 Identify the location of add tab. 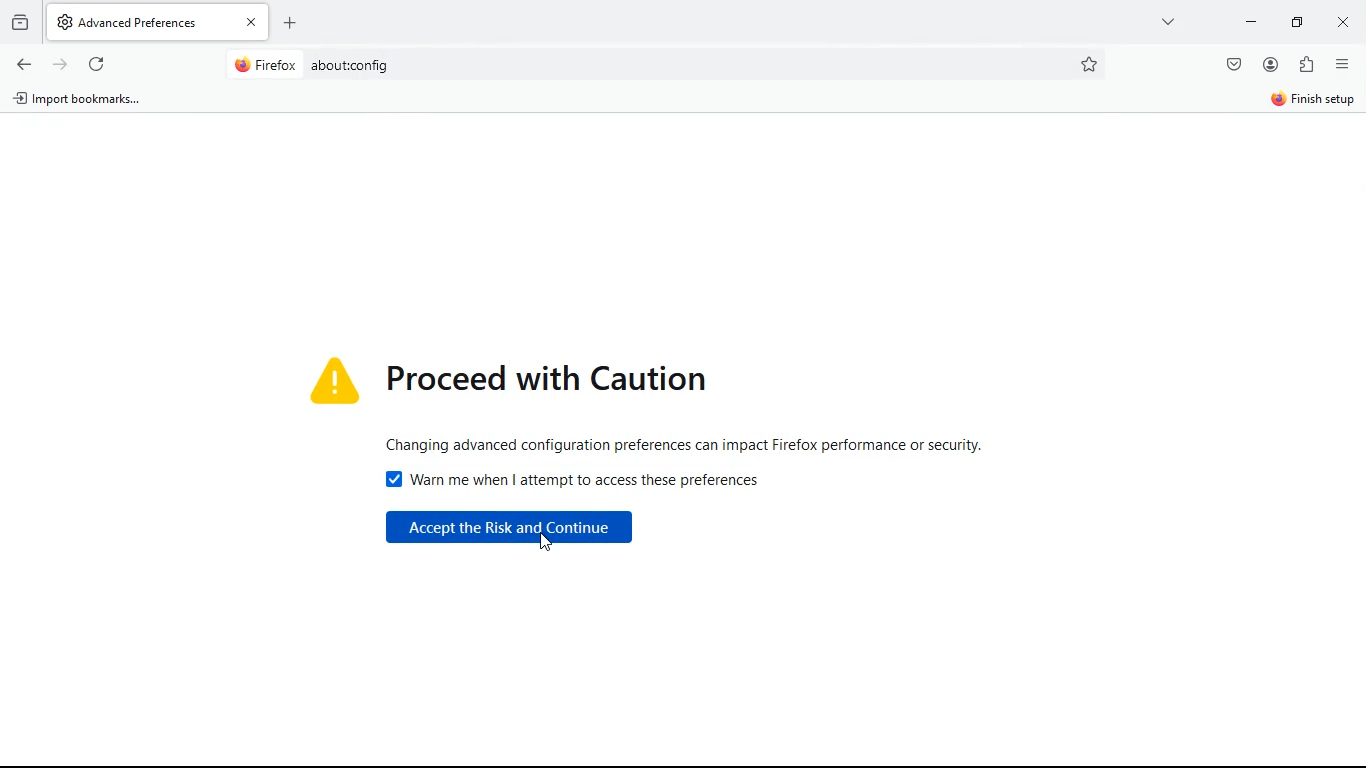
(295, 21).